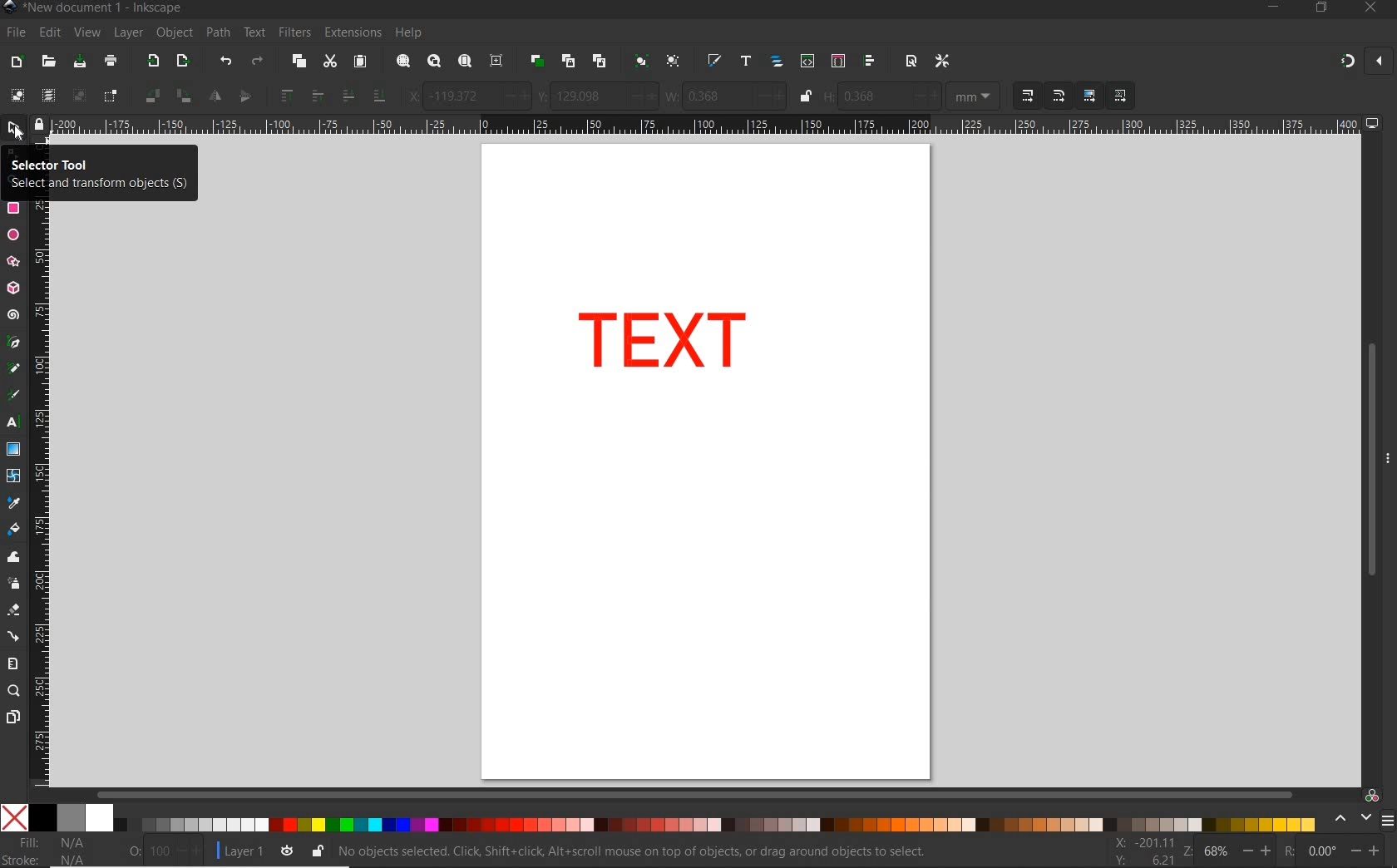  I want to click on TEXT TOOL, so click(15, 422).